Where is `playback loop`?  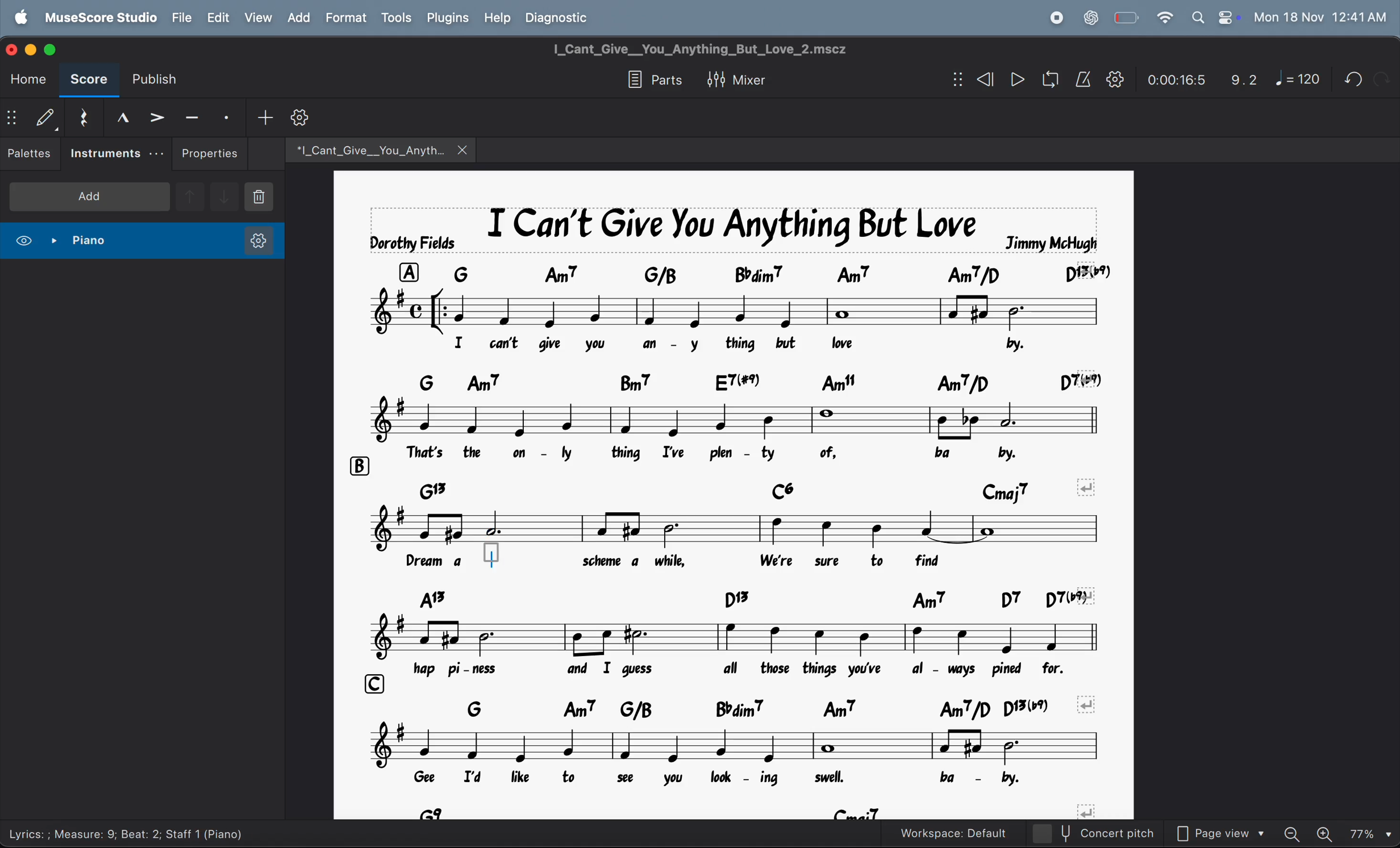 playback loop is located at coordinates (1048, 80).